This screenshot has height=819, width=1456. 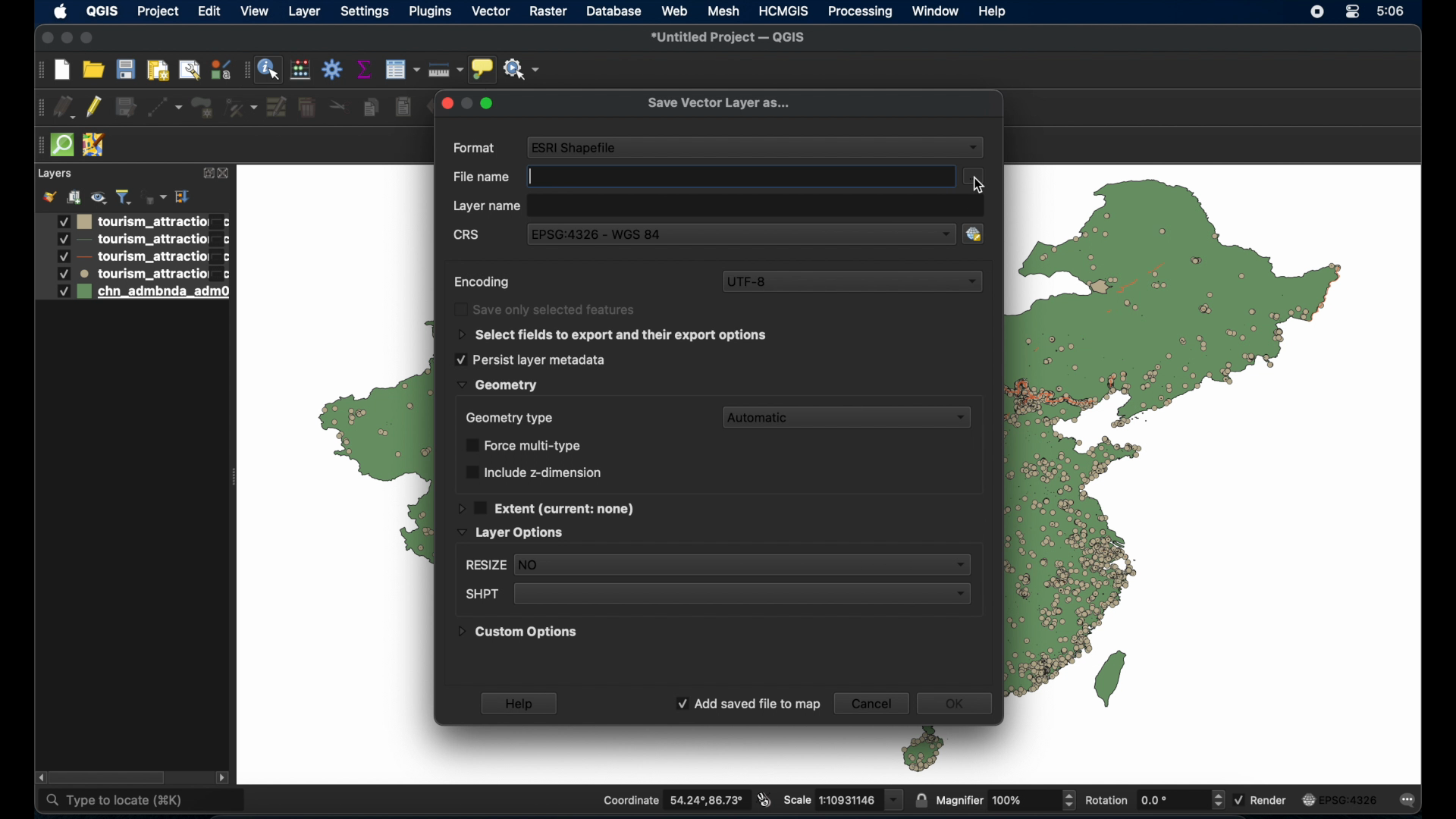 I want to click on print layout, so click(x=158, y=69).